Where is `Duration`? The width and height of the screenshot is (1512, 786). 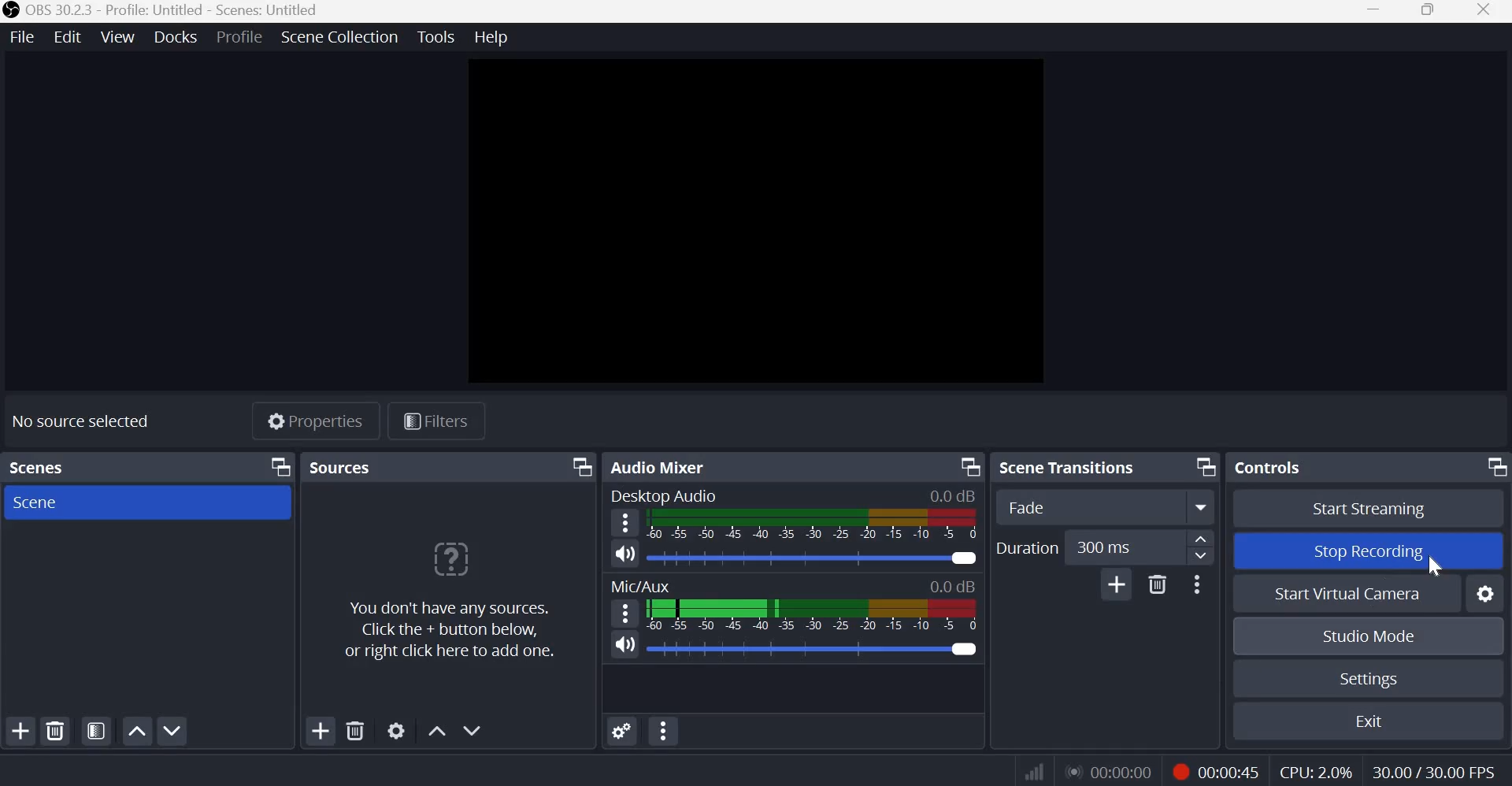 Duration is located at coordinates (1029, 547).